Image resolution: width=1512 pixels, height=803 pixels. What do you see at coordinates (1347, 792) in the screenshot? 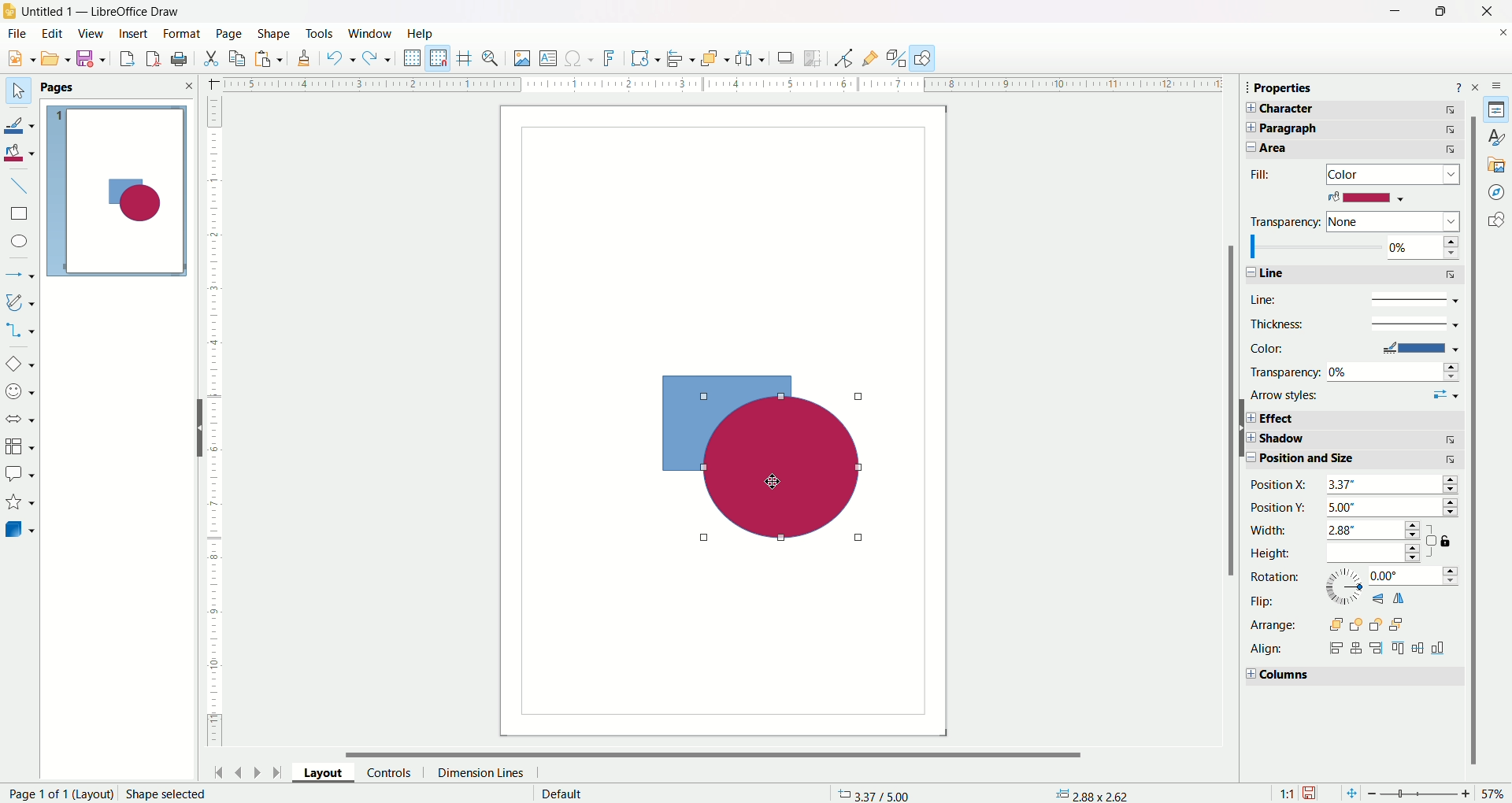
I see `fit to windows screen` at bounding box center [1347, 792].